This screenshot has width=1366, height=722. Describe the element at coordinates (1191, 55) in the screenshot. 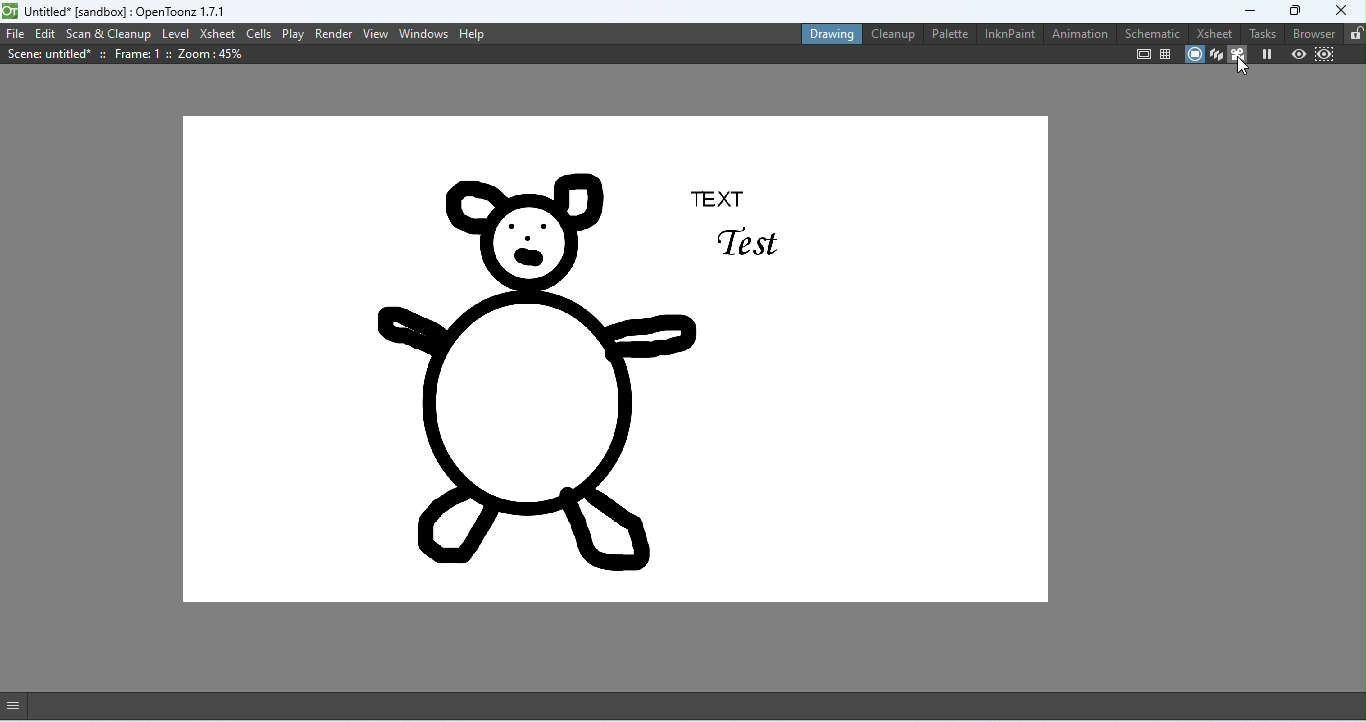

I see `camera stand view` at that location.